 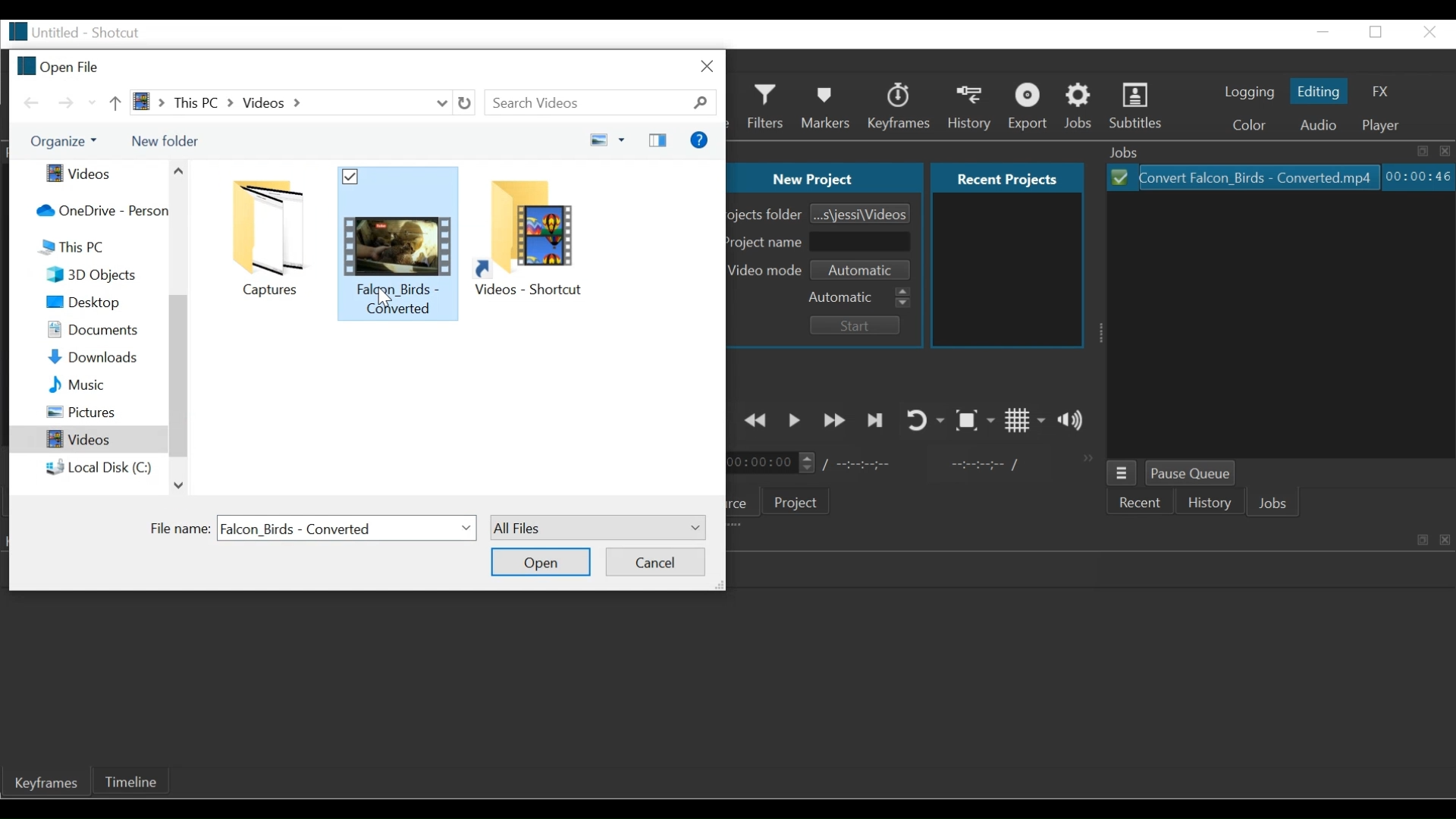 What do you see at coordinates (859, 213) in the screenshot?
I see `Browse Project Folder` at bounding box center [859, 213].